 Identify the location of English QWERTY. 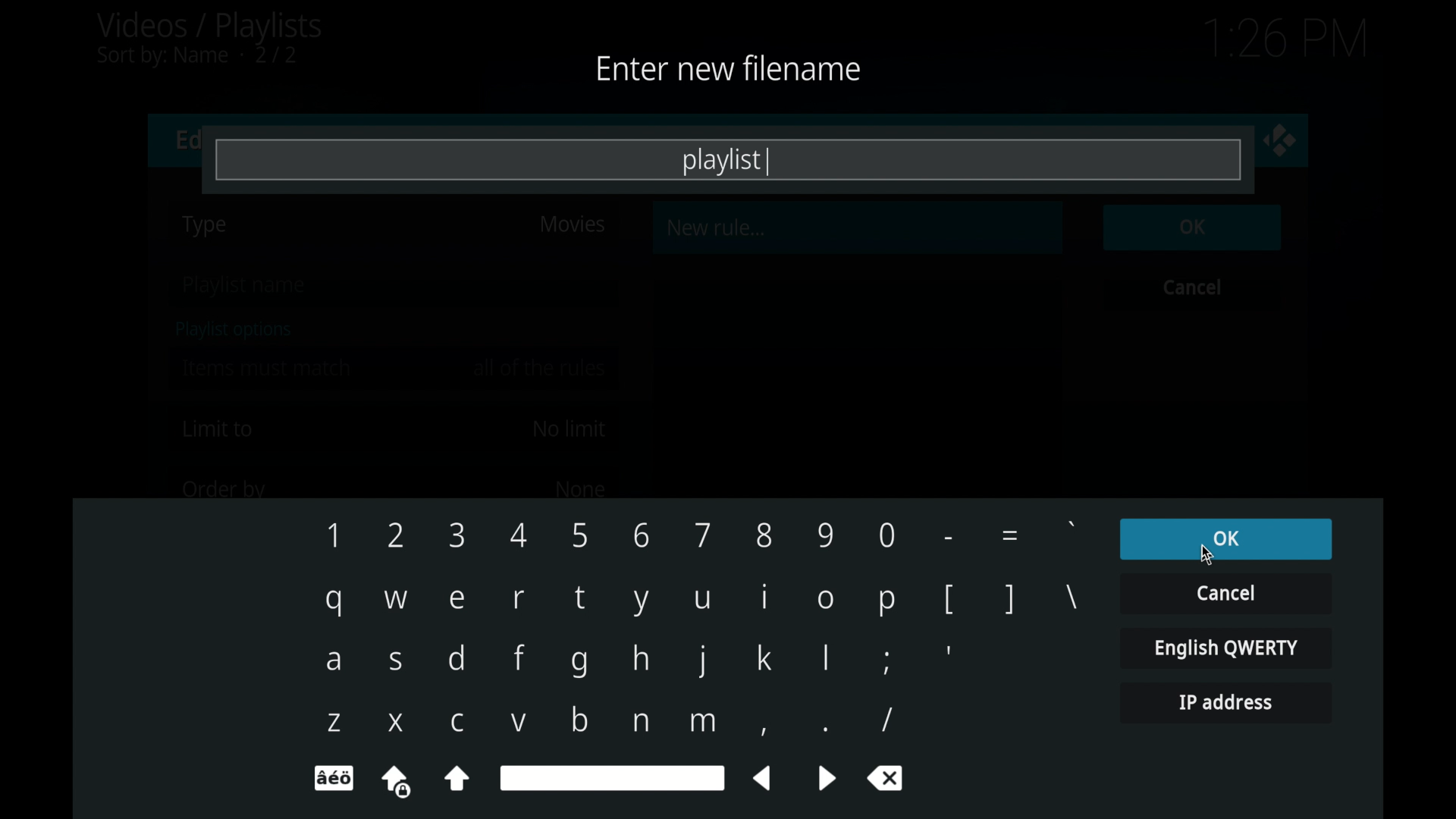
(1225, 647).